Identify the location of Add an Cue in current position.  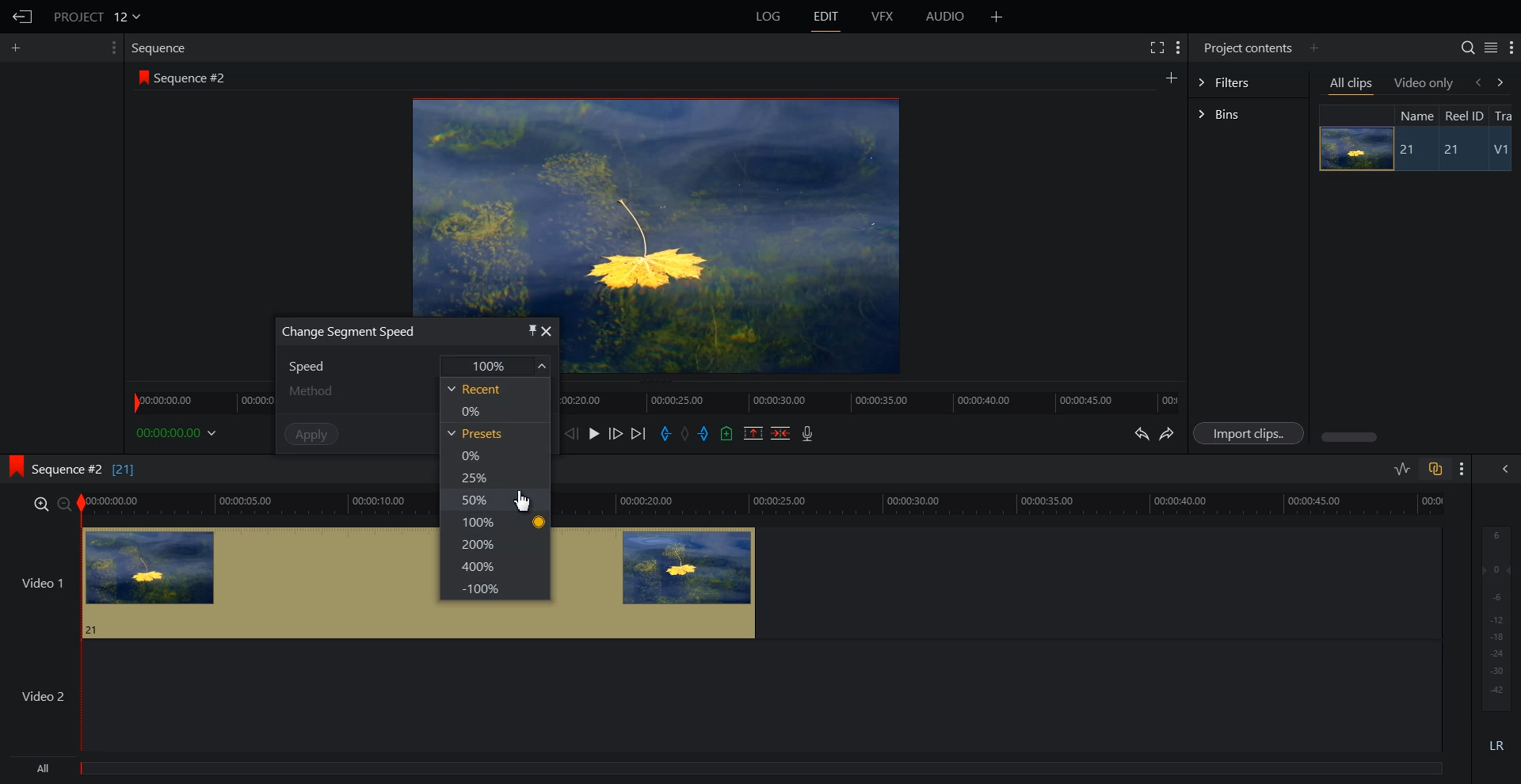
(727, 433).